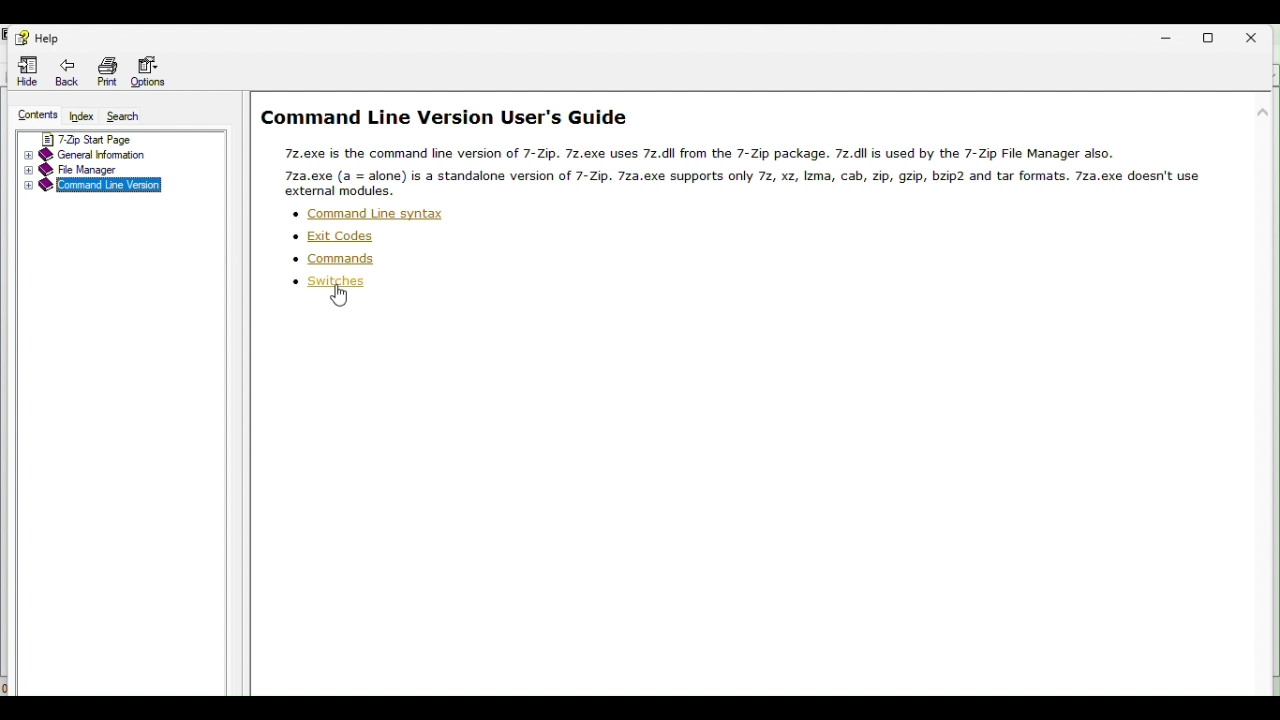 Image resolution: width=1280 pixels, height=720 pixels. What do you see at coordinates (1170, 37) in the screenshot?
I see `Minimize` at bounding box center [1170, 37].